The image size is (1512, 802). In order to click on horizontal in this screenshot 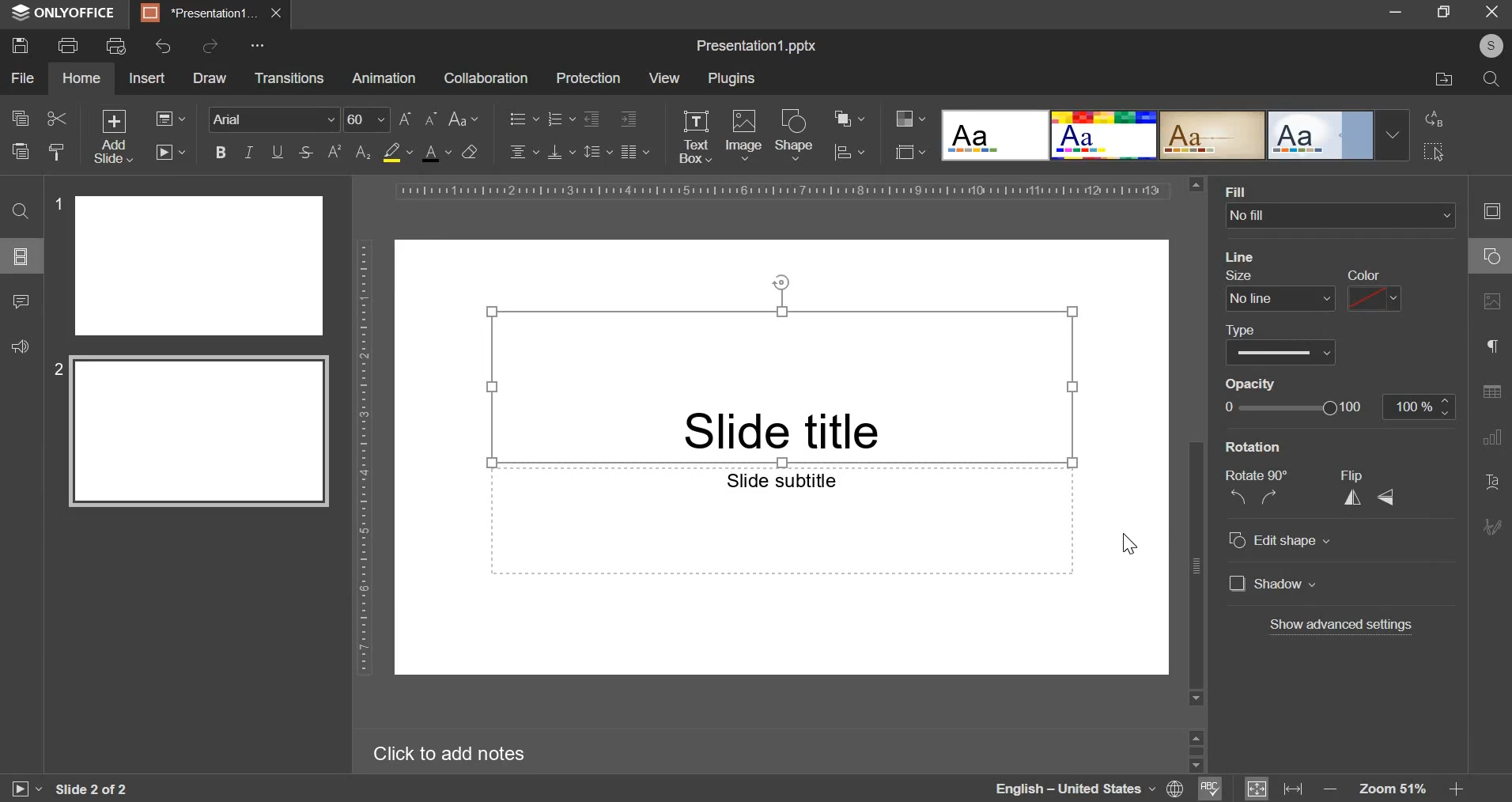, I will do `click(1389, 497)`.